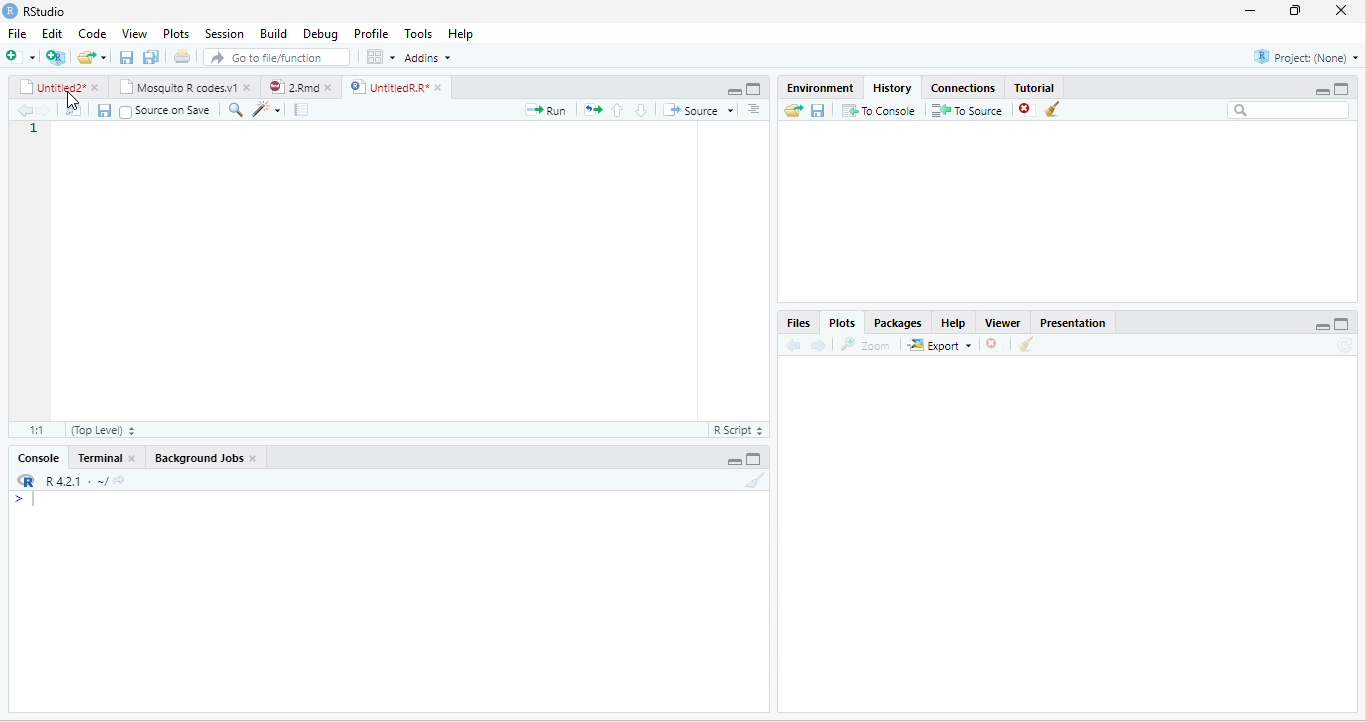 Image resolution: width=1366 pixels, height=722 pixels. Describe the element at coordinates (1001, 320) in the screenshot. I see `viewer` at that location.